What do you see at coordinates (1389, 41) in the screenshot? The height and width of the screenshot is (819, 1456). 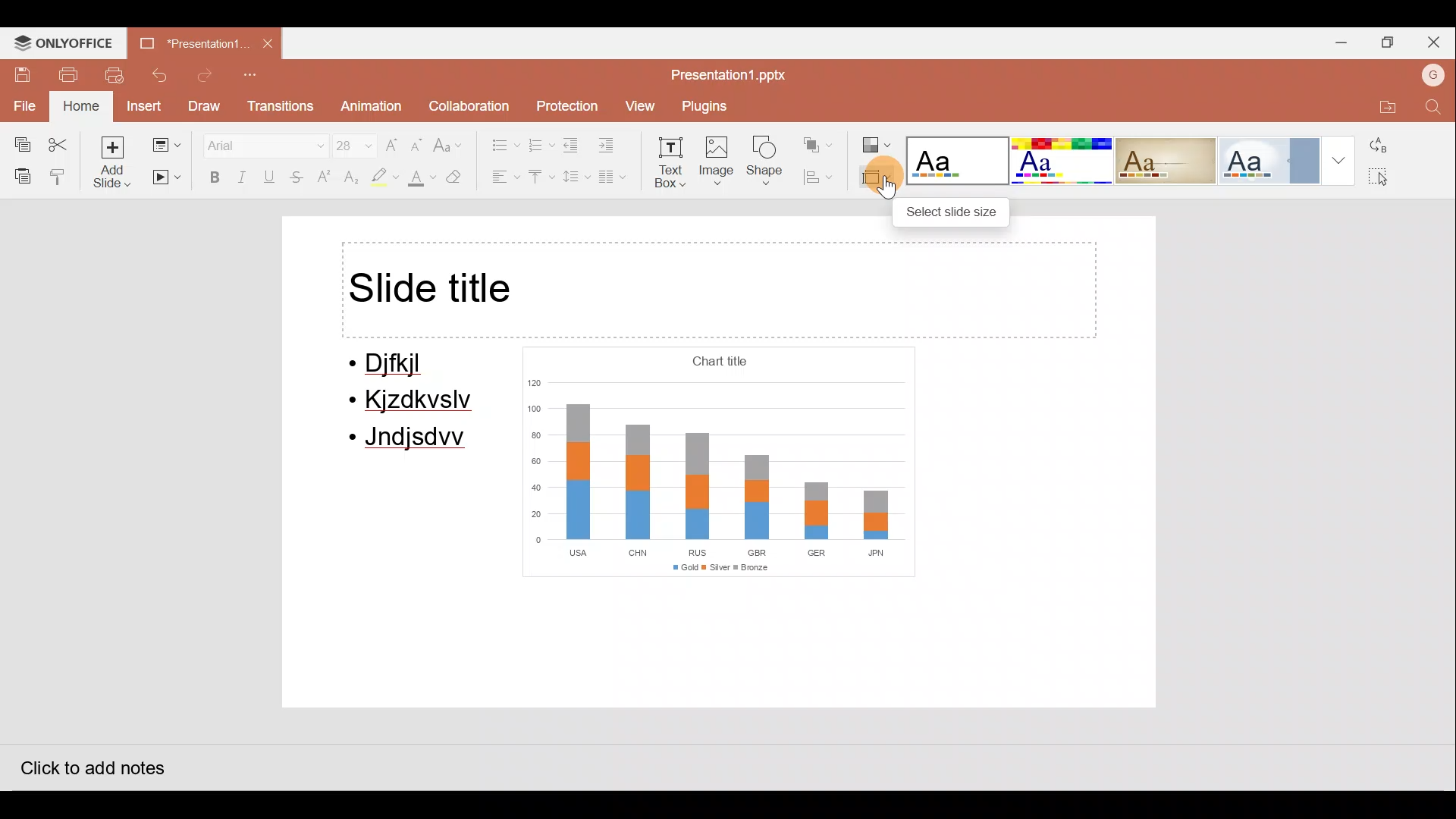 I see `Maximize` at bounding box center [1389, 41].